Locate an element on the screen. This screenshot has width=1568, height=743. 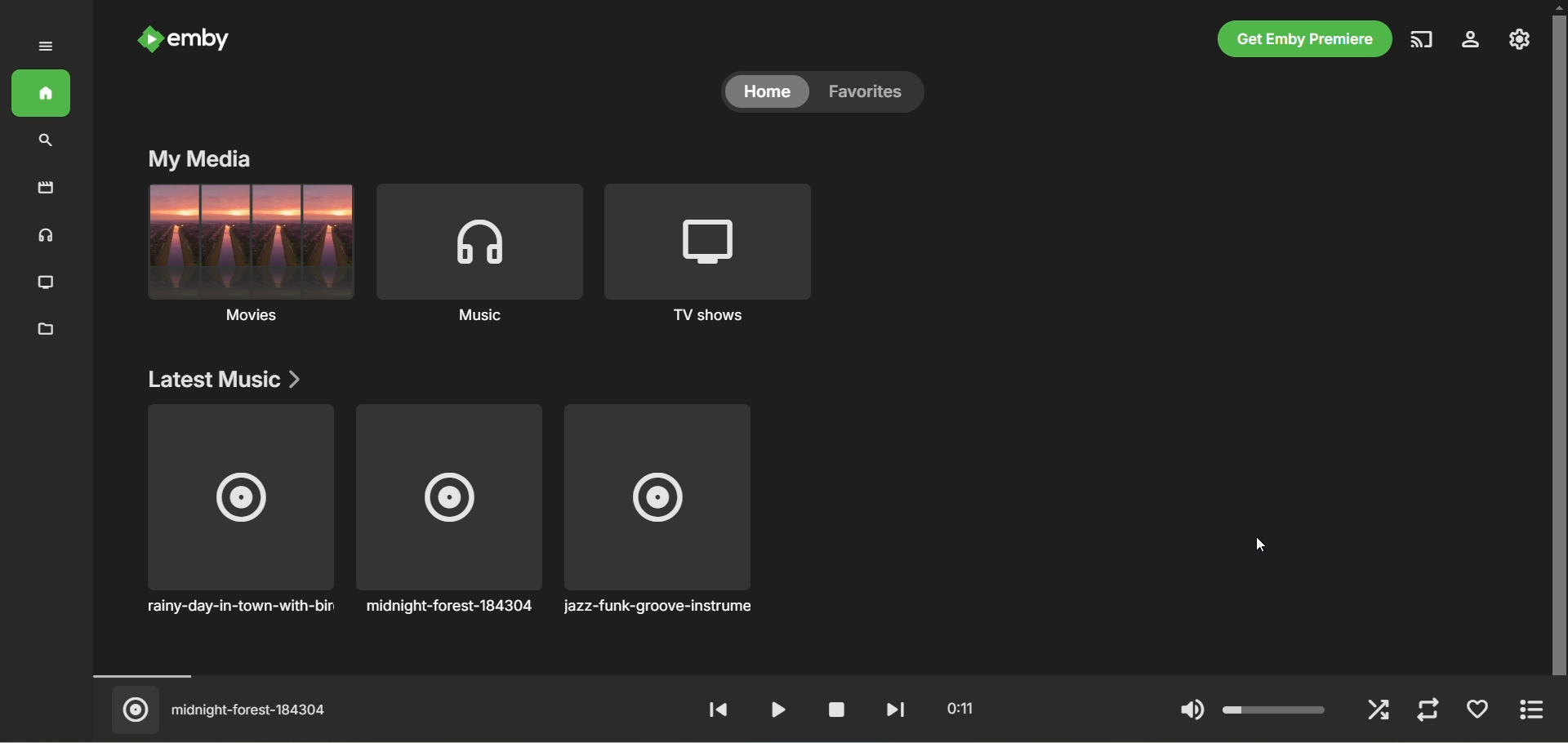
play is located at coordinates (773, 708).